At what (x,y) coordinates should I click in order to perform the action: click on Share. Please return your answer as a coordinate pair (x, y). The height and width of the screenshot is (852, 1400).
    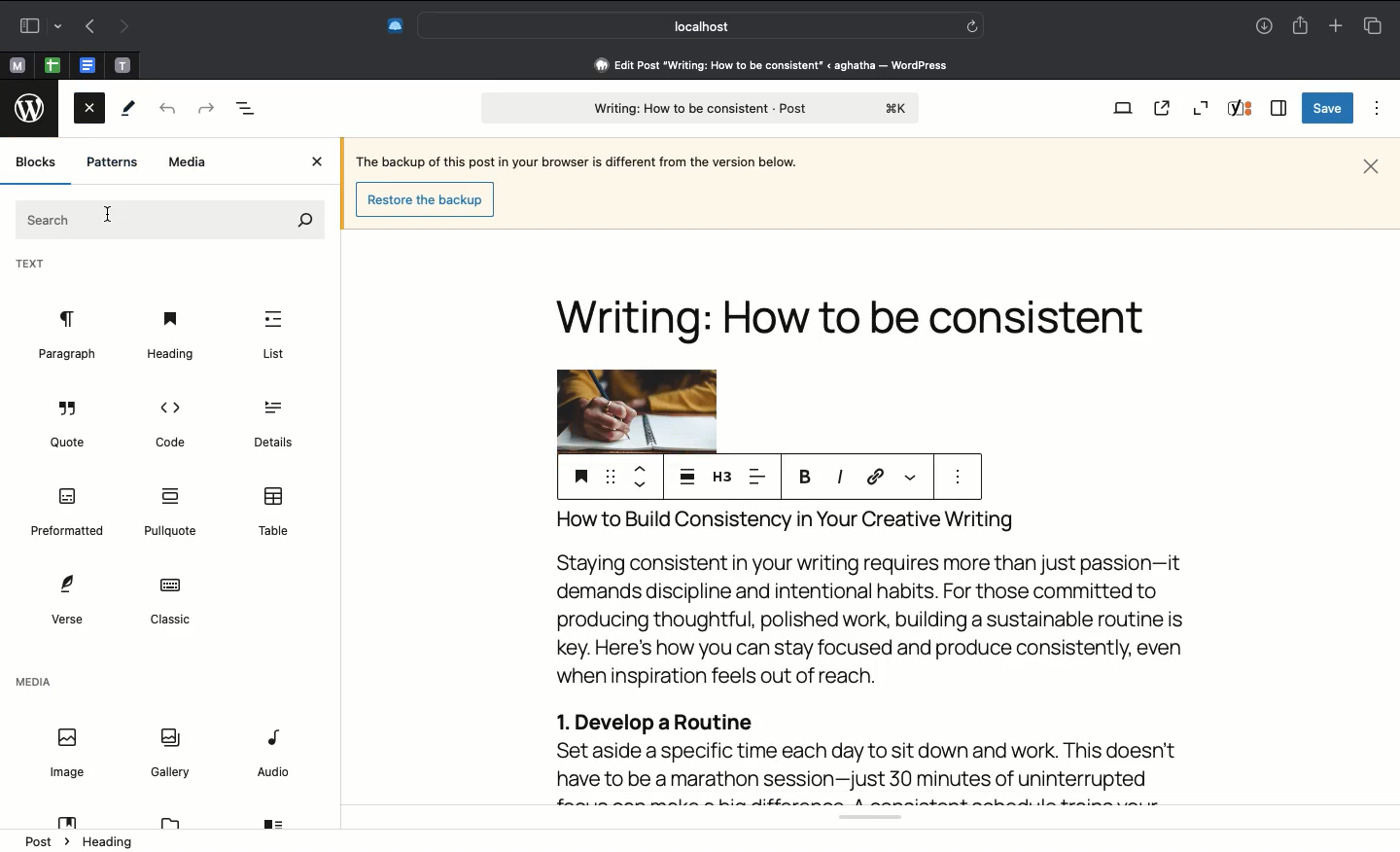
    Looking at the image, I should click on (1302, 26).